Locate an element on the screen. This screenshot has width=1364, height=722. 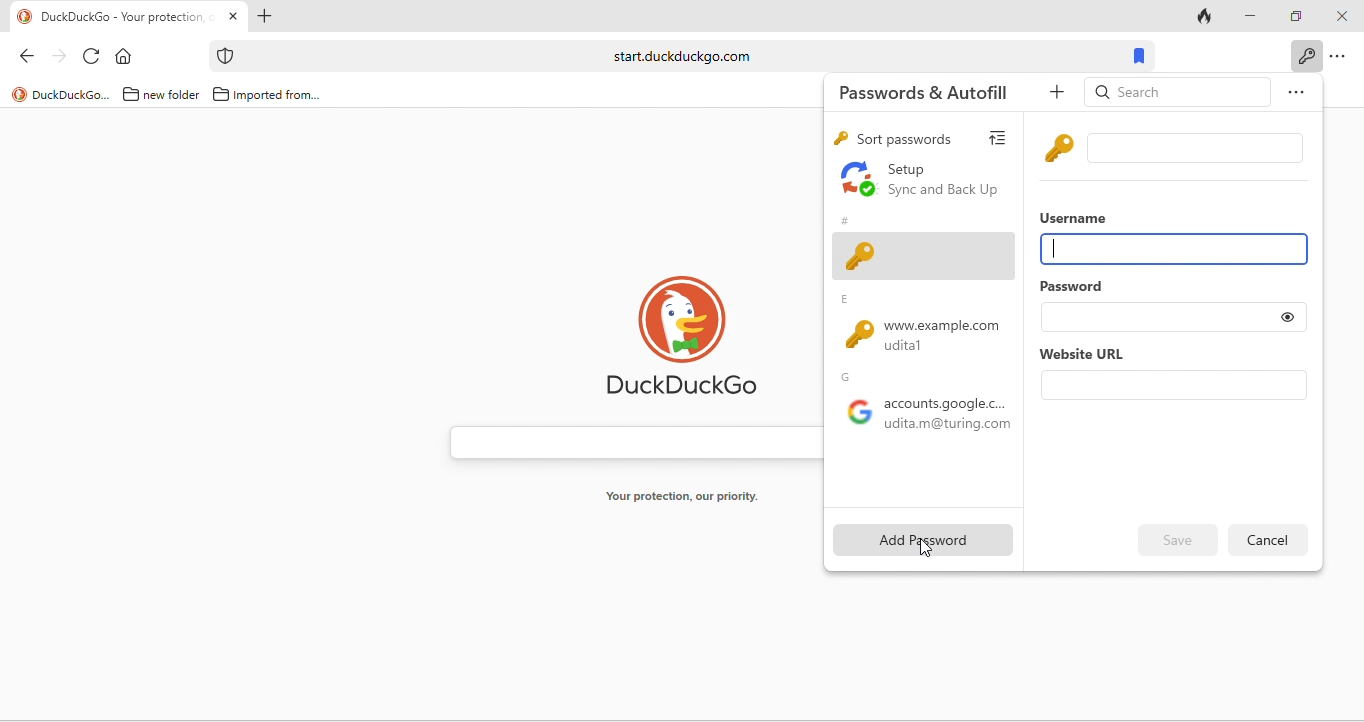
close is located at coordinates (1340, 17).